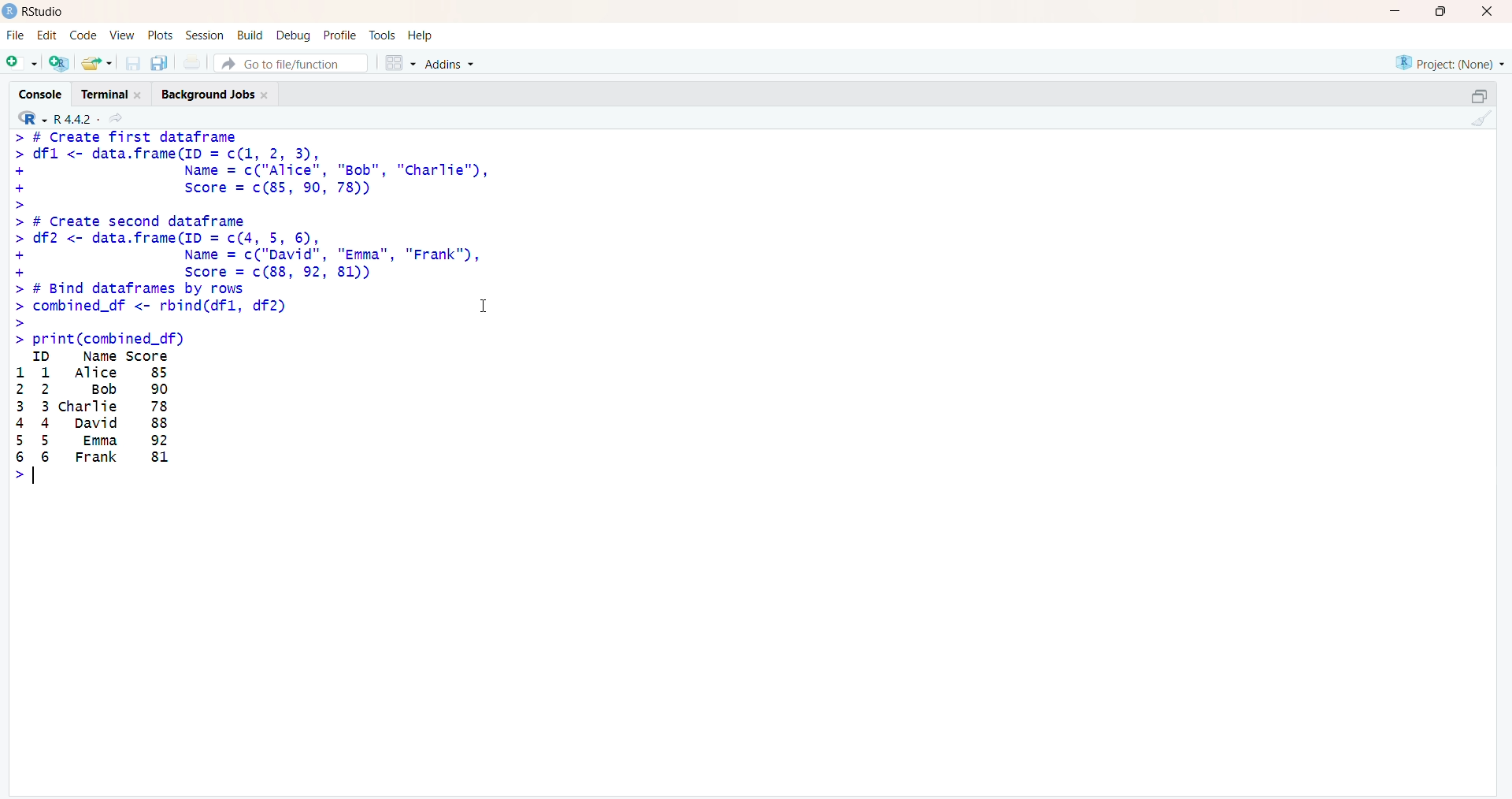 Image resolution: width=1512 pixels, height=799 pixels. I want to click on Code, so click(83, 35).